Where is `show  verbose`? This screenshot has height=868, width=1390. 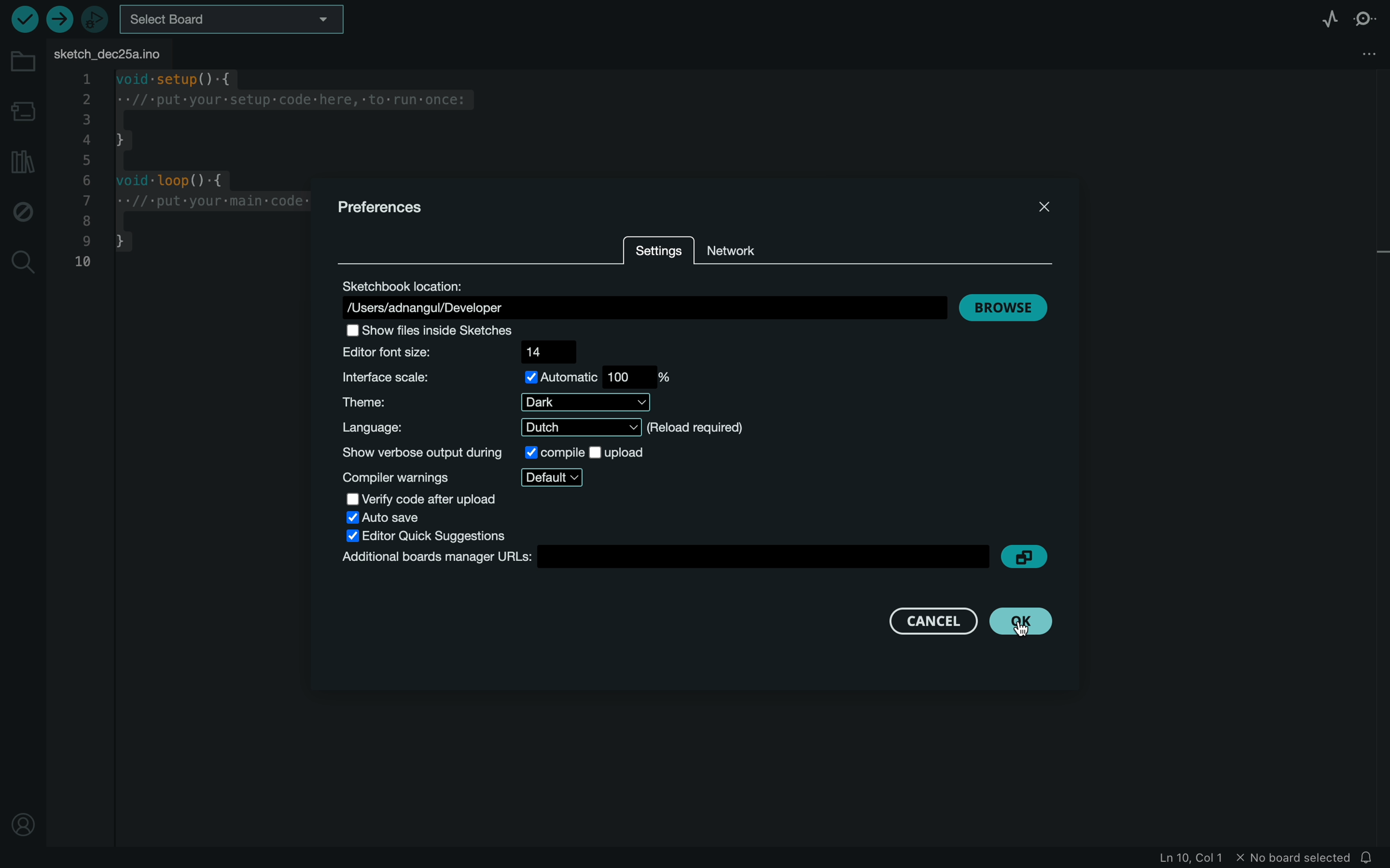
show  verbose is located at coordinates (491, 452).